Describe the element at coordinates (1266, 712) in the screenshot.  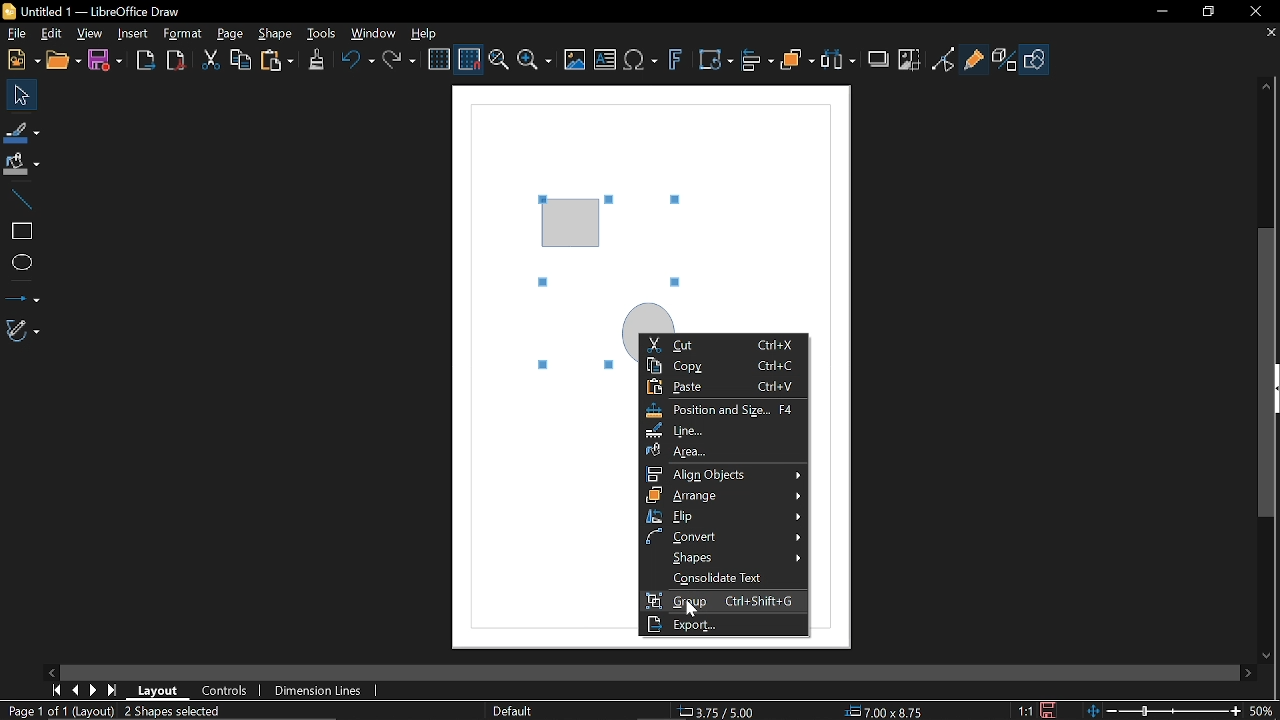
I see `Current zoom` at that location.